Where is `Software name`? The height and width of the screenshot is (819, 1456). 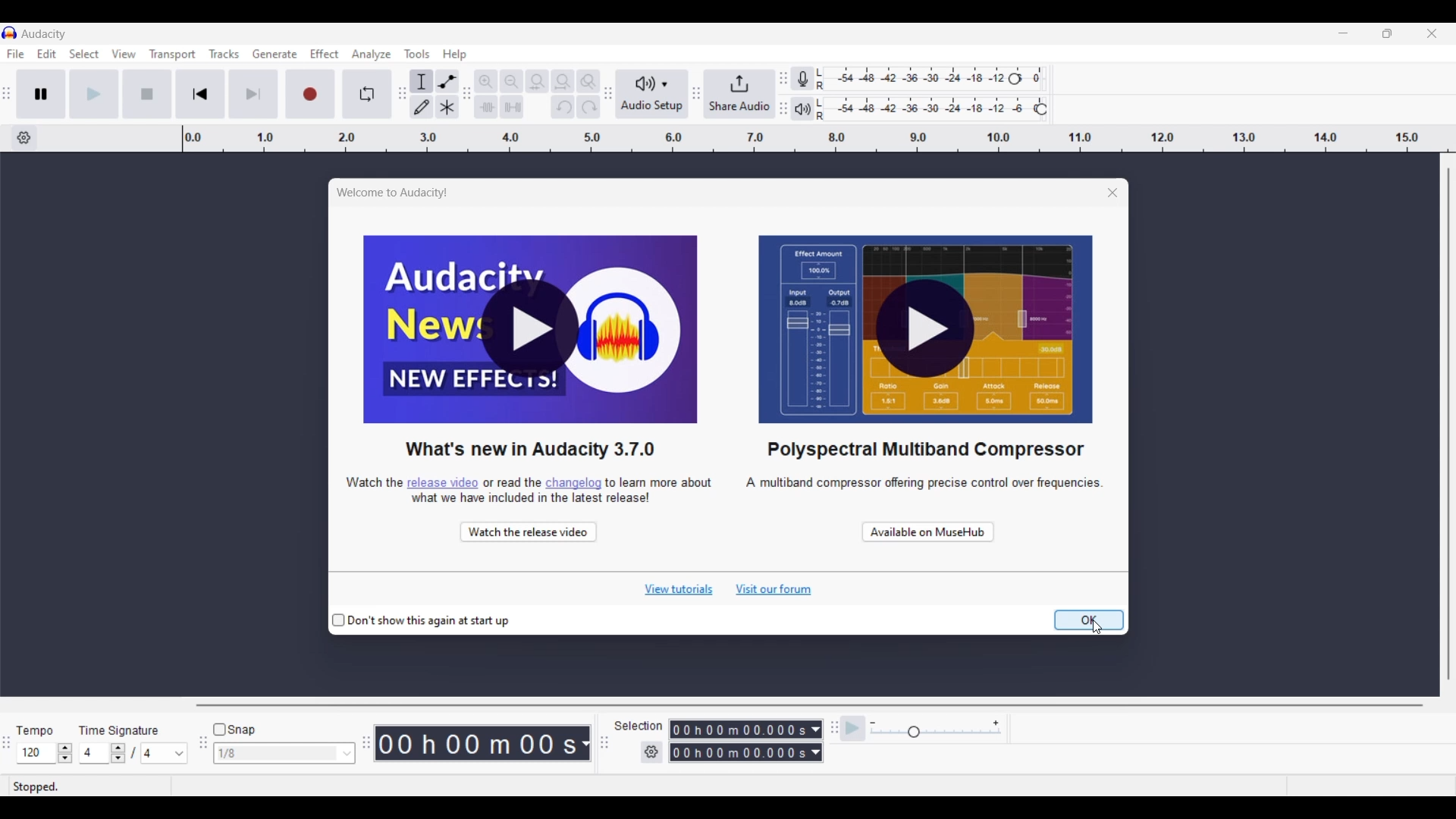 Software name is located at coordinates (45, 34).